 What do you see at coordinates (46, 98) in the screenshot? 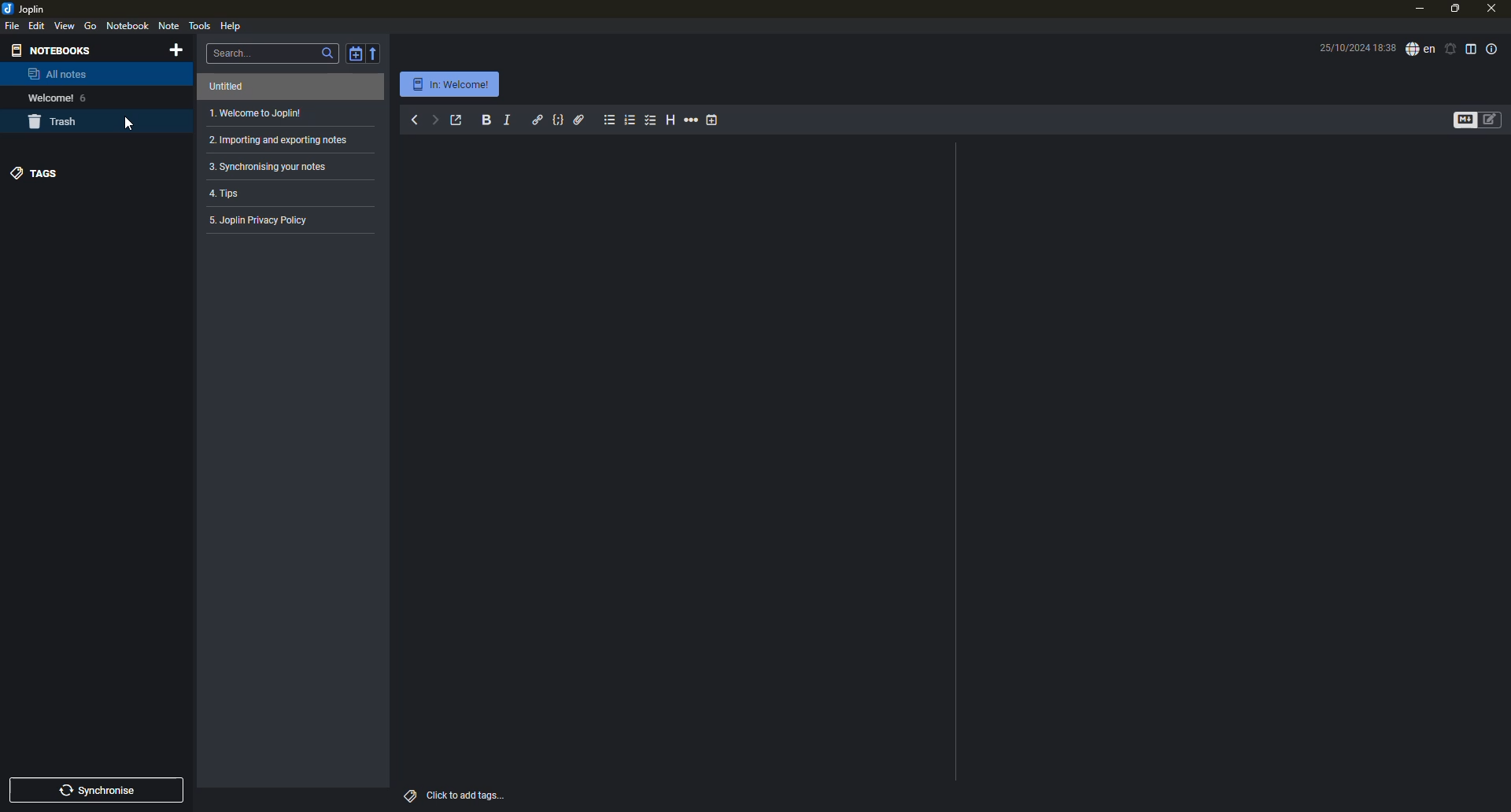
I see `welcome!` at bounding box center [46, 98].